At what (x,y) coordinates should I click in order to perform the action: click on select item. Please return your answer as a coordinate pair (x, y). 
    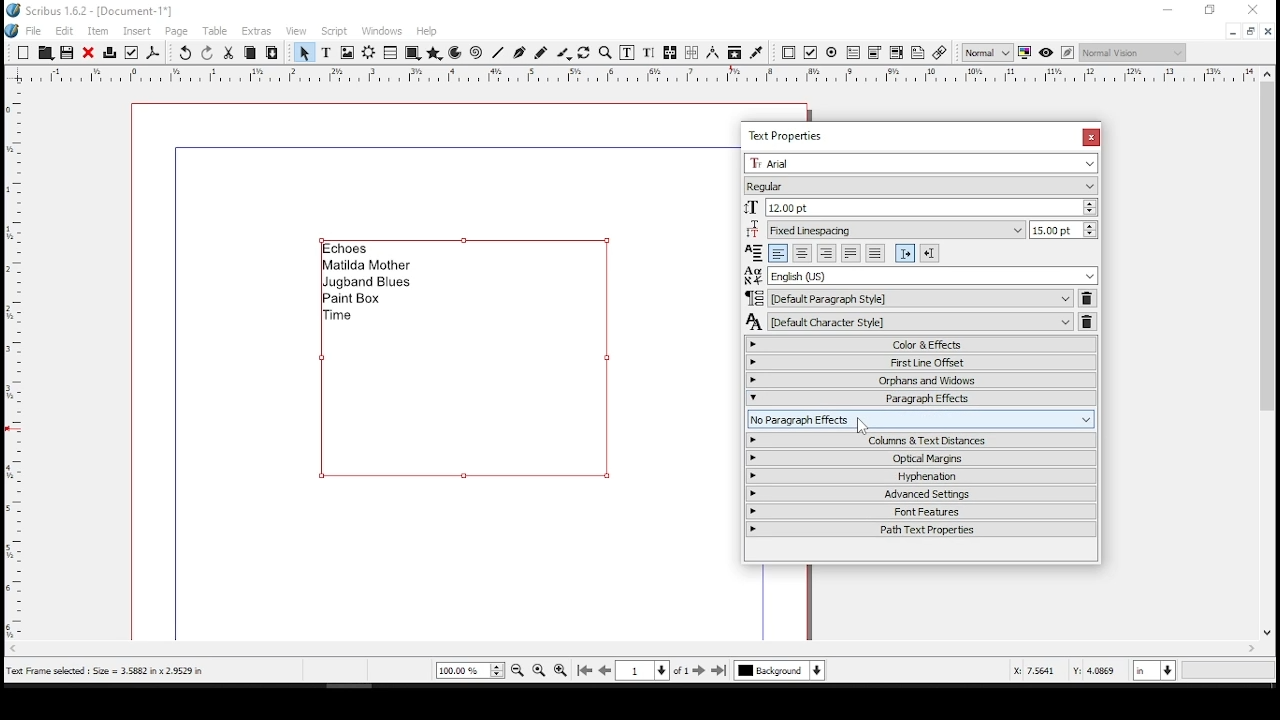
    Looking at the image, I should click on (304, 52).